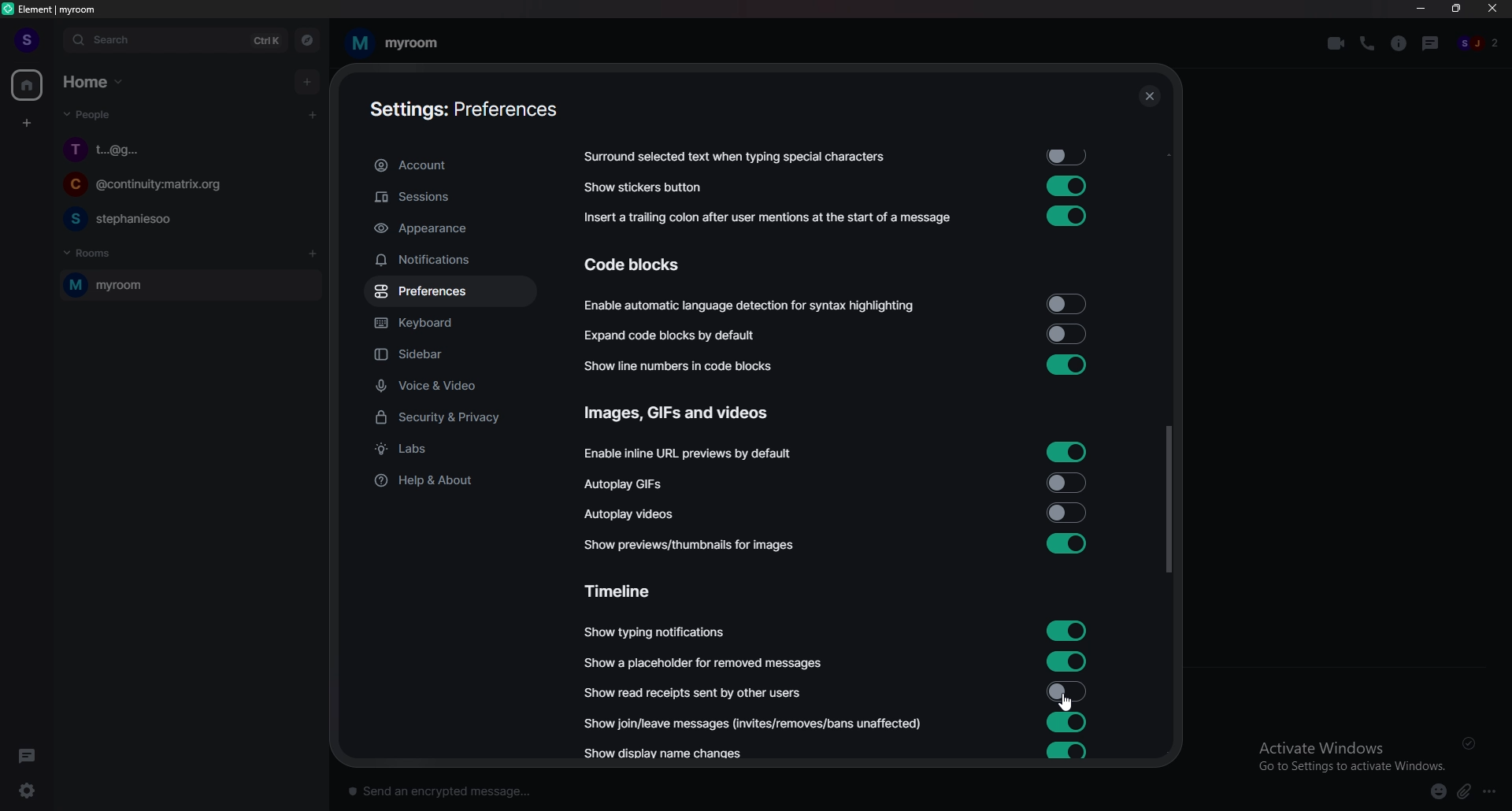 This screenshot has height=811, width=1512. Describe the element at coordinates (680, 413) in the screenshot. I see `images gif and videos` at that location.